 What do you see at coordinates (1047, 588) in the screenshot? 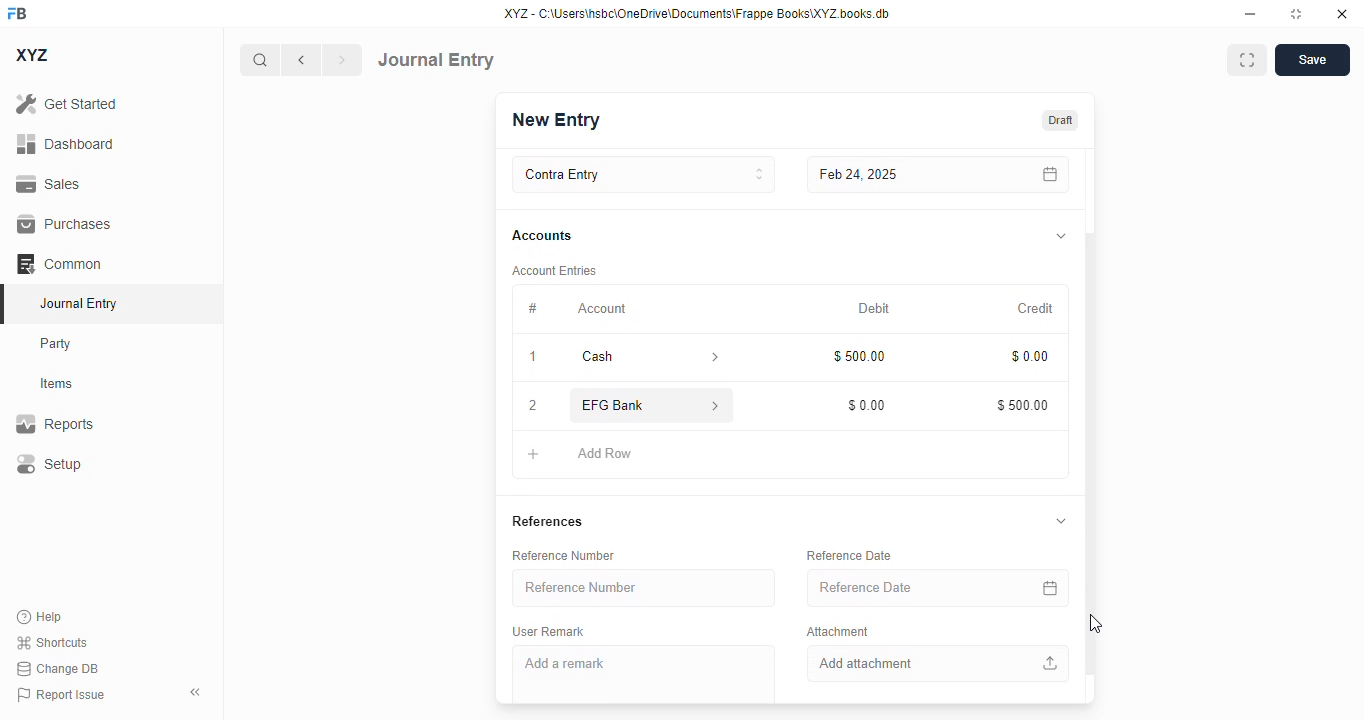
I see `calendar icon` at bounding box center [1047, 588].